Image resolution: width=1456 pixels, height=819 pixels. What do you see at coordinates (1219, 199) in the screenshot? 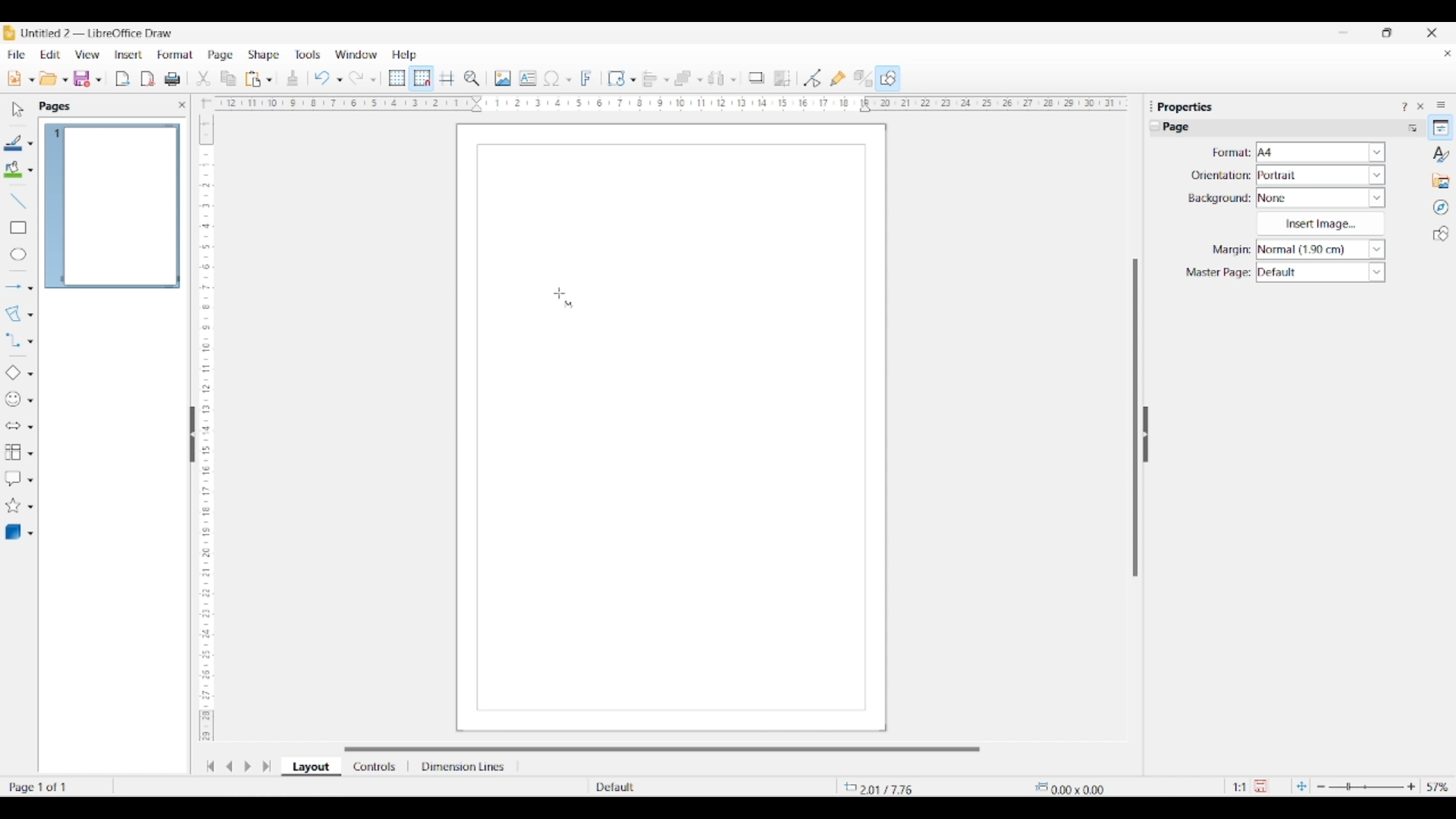
I see `Indicates background settings` at bounding box center [1219, 199].